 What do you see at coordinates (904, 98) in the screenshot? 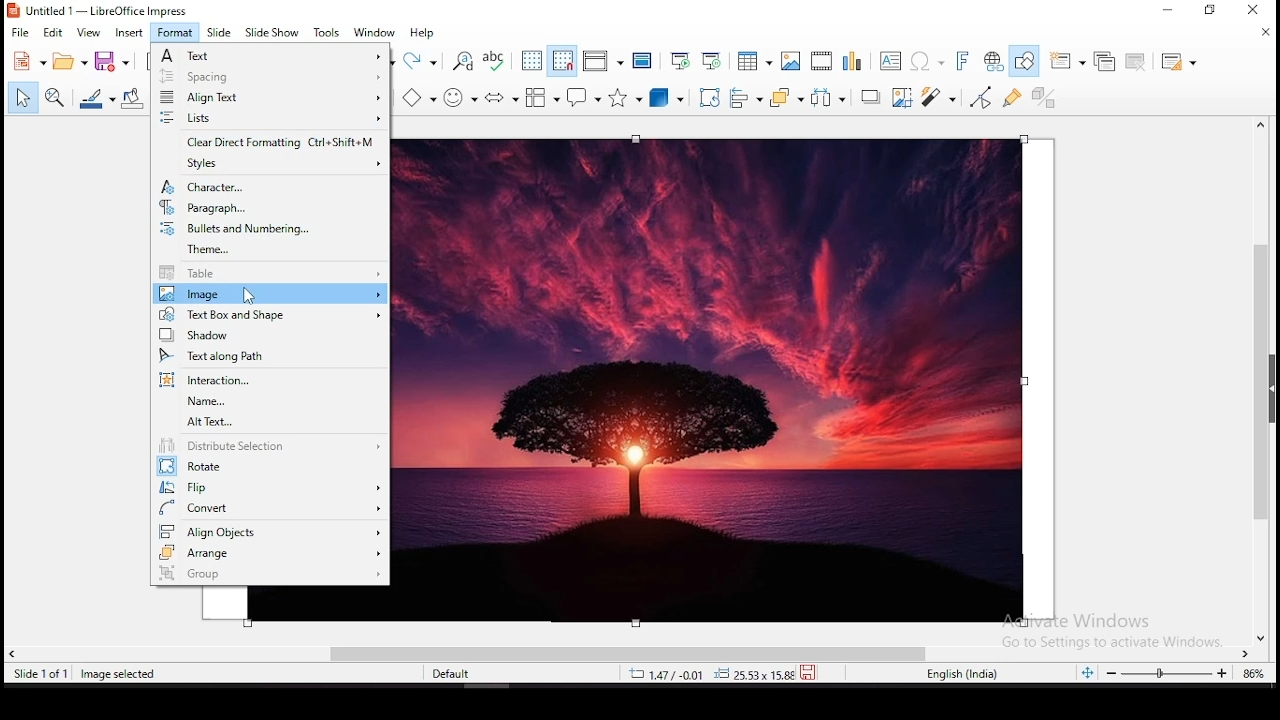
I see `crop image` at bounding box center [904, 98].